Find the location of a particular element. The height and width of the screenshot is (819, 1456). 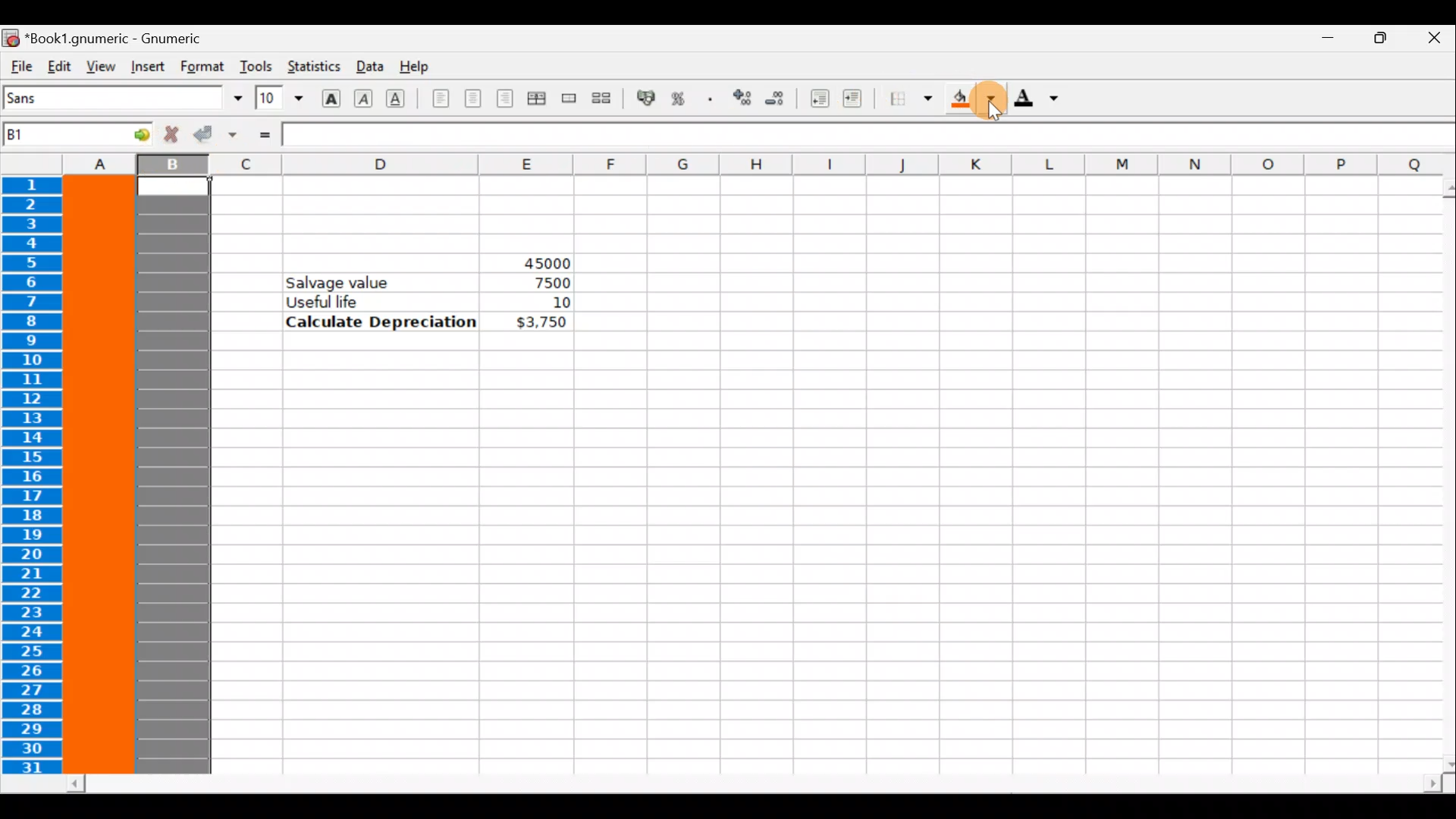

Tools is located at coordinates (256, 66).